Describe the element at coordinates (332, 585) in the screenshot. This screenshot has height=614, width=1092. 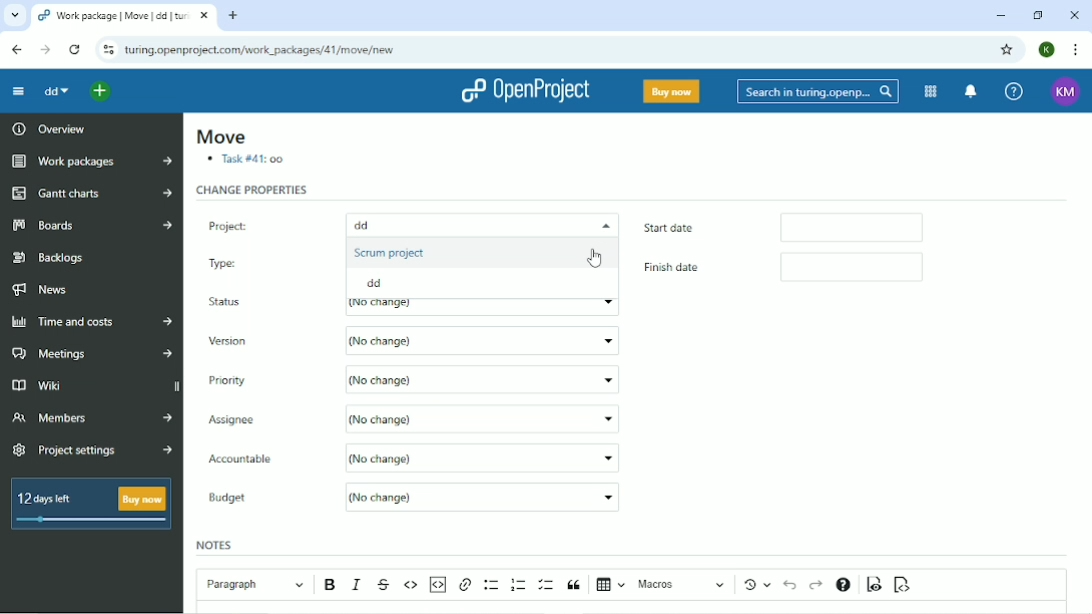
I see `Bold` at that location.